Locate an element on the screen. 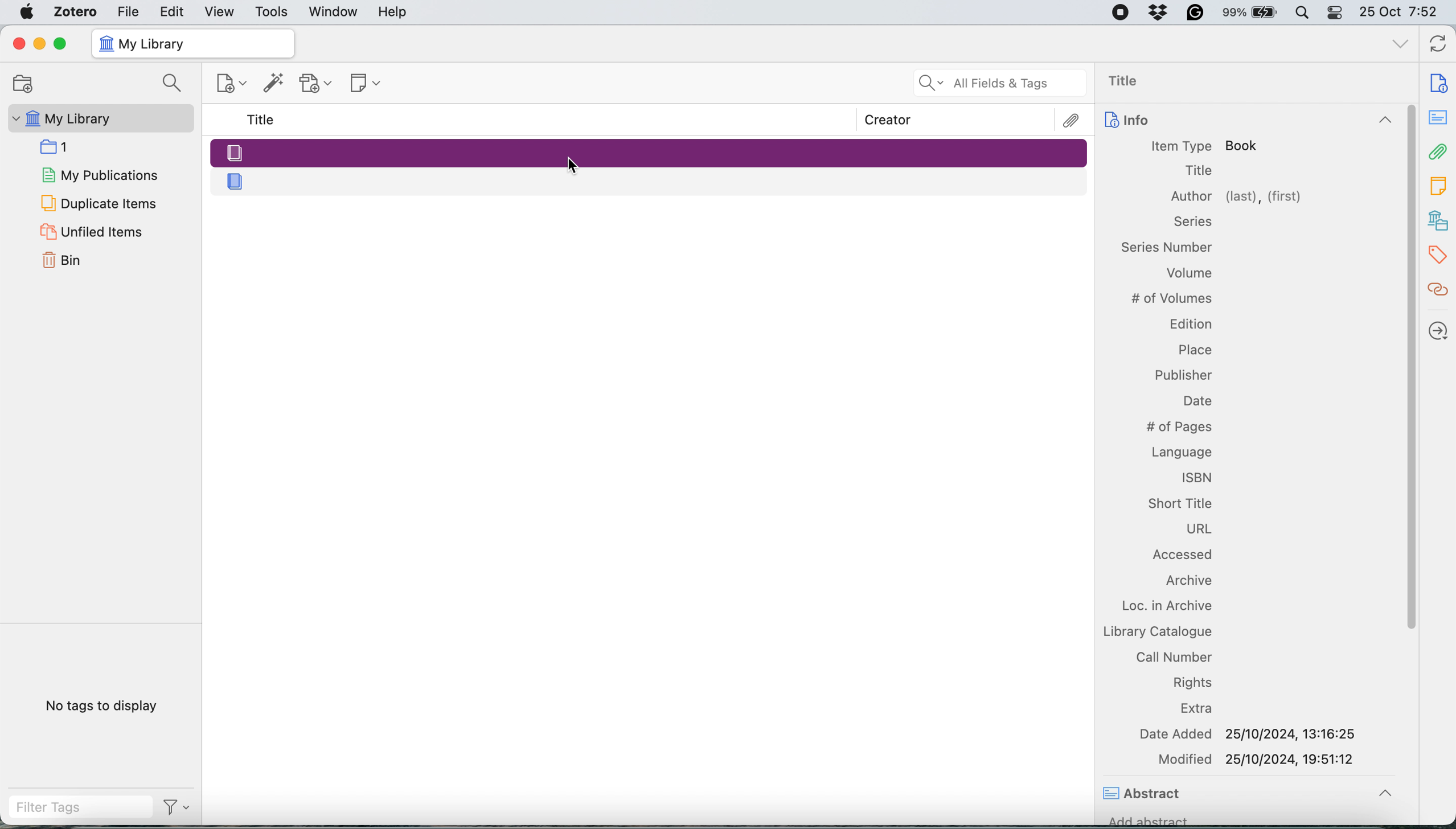 This screenshot has height=829, width=1456. Rights is located at coordinates (1194, 682).